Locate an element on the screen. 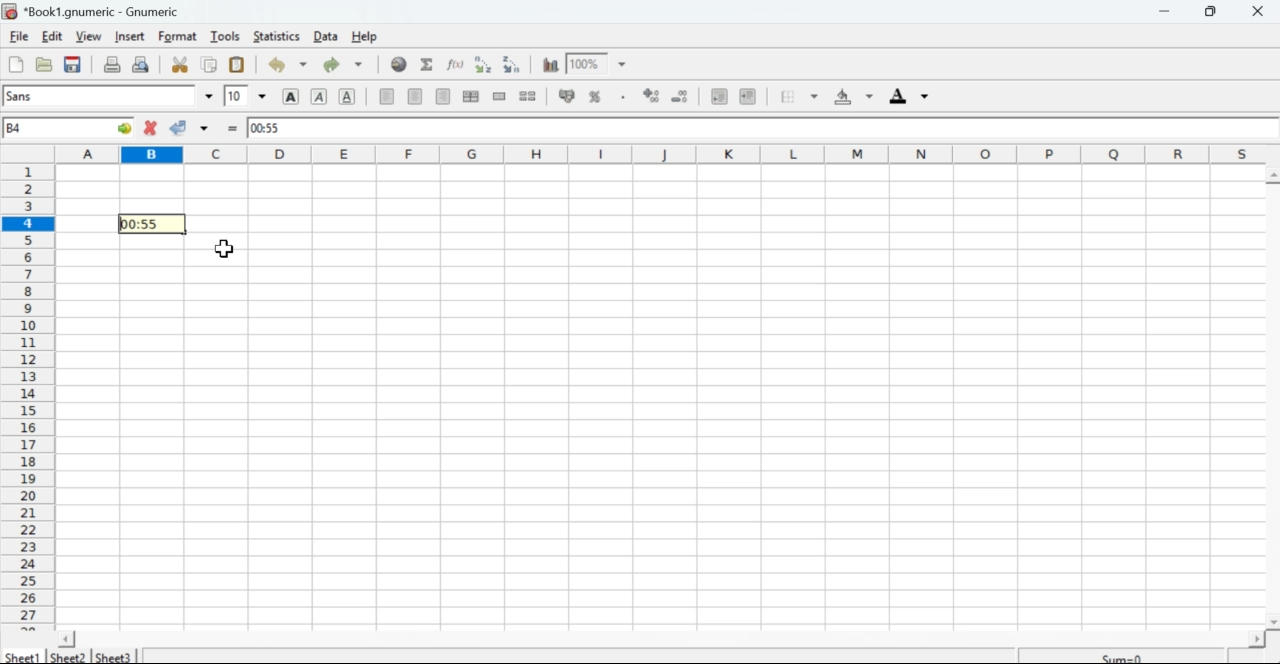 The image size is (1280, 664). down is located at coordinates (304, 65).